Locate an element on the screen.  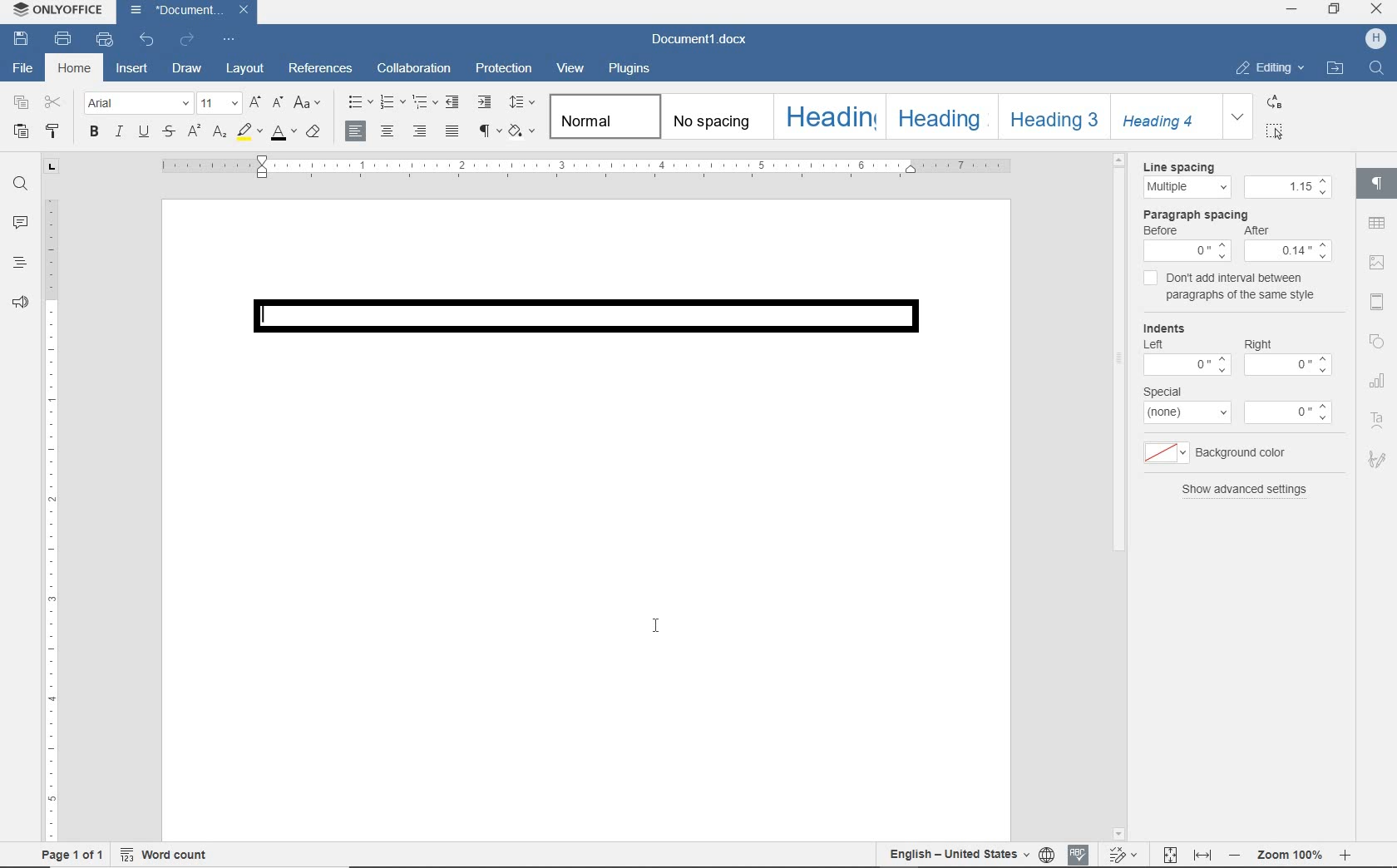
paragraph settings is located at coordinates (1381, 185).